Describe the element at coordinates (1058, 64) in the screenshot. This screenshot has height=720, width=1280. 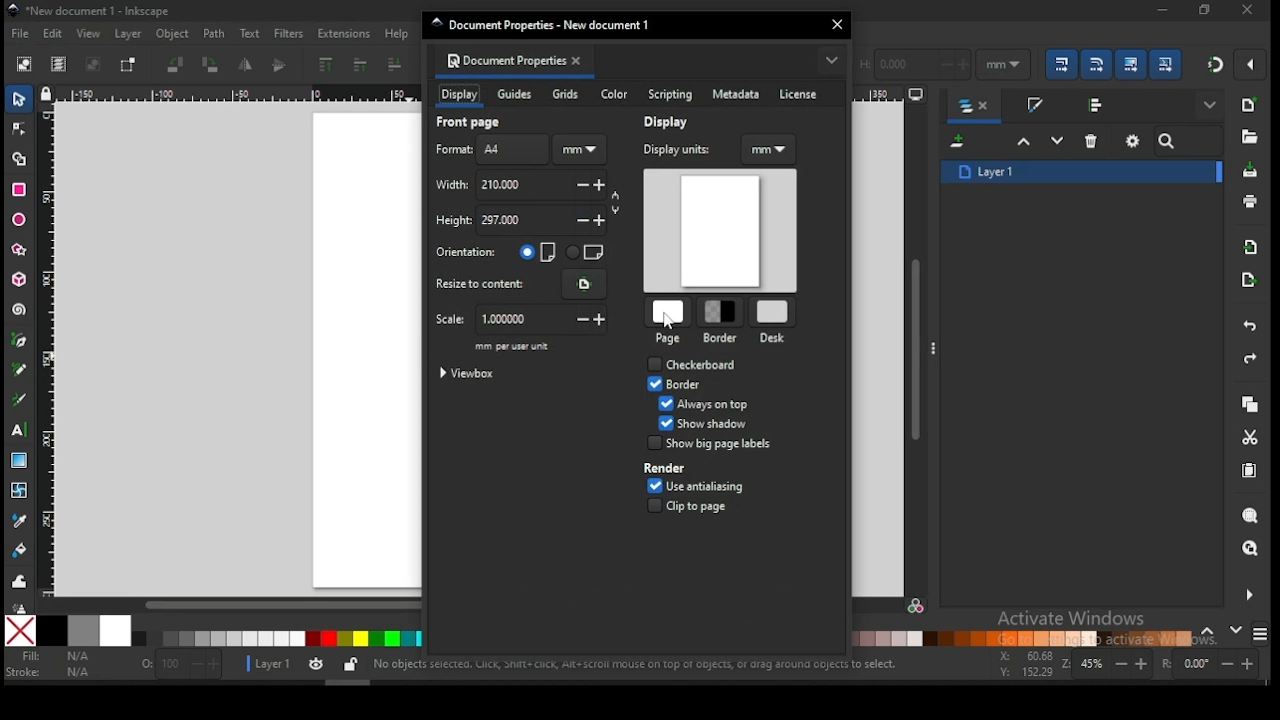
I see `when scaling objects, scale the stroke width in same proportion` at that location.